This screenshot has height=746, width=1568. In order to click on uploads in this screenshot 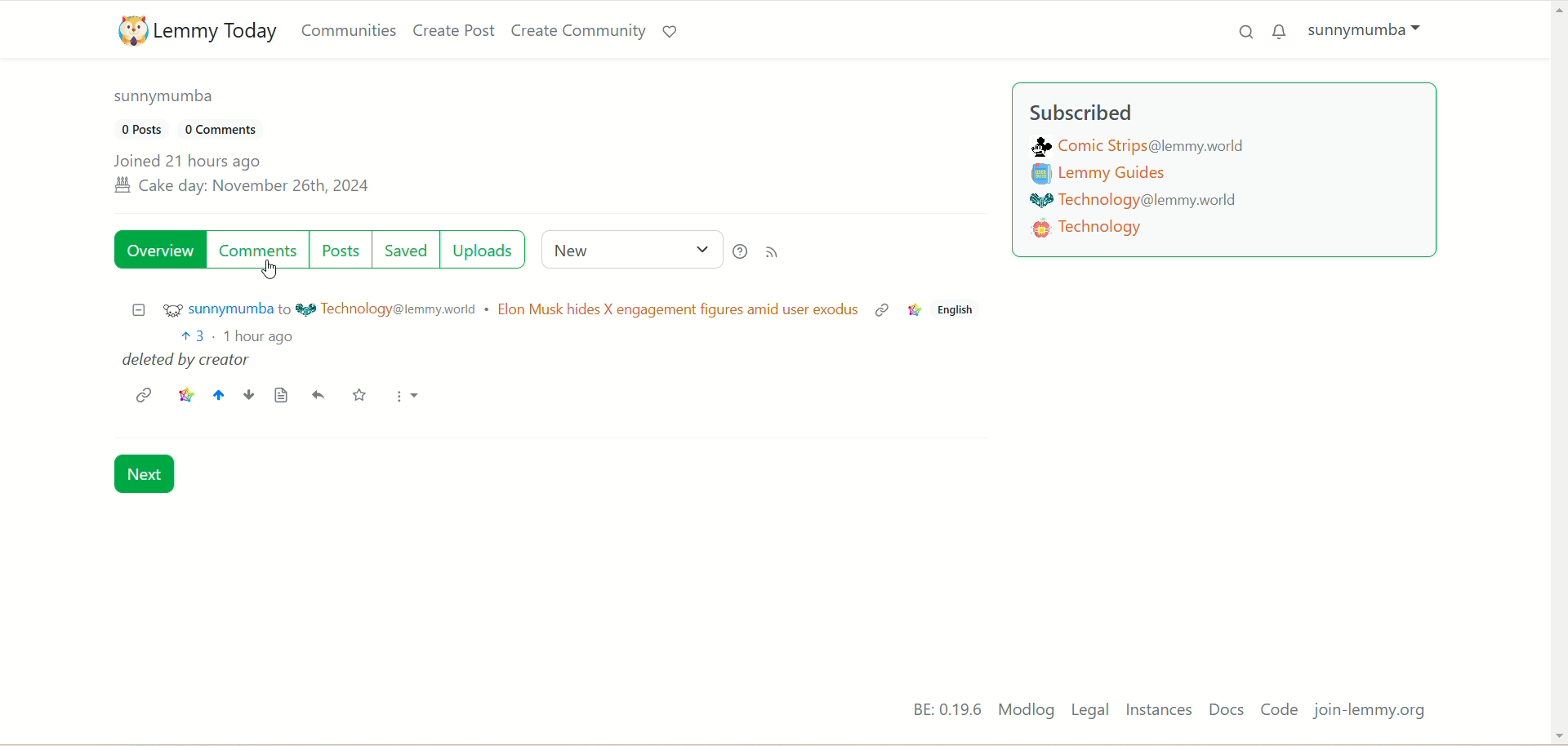, I will do `click(488, 250)`.